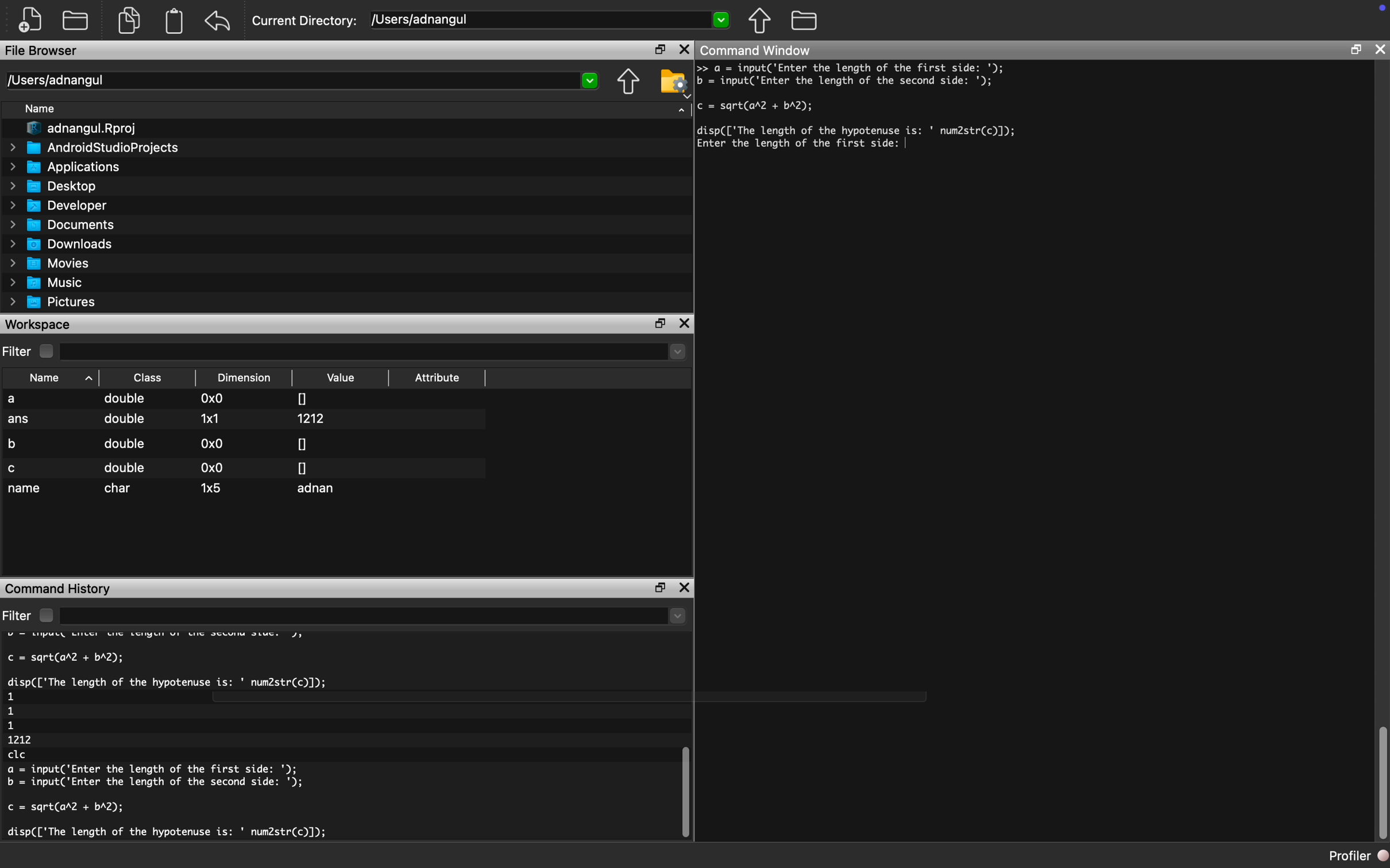 The image size is (1390, 868). I want to click on Name, so click(45, 110).